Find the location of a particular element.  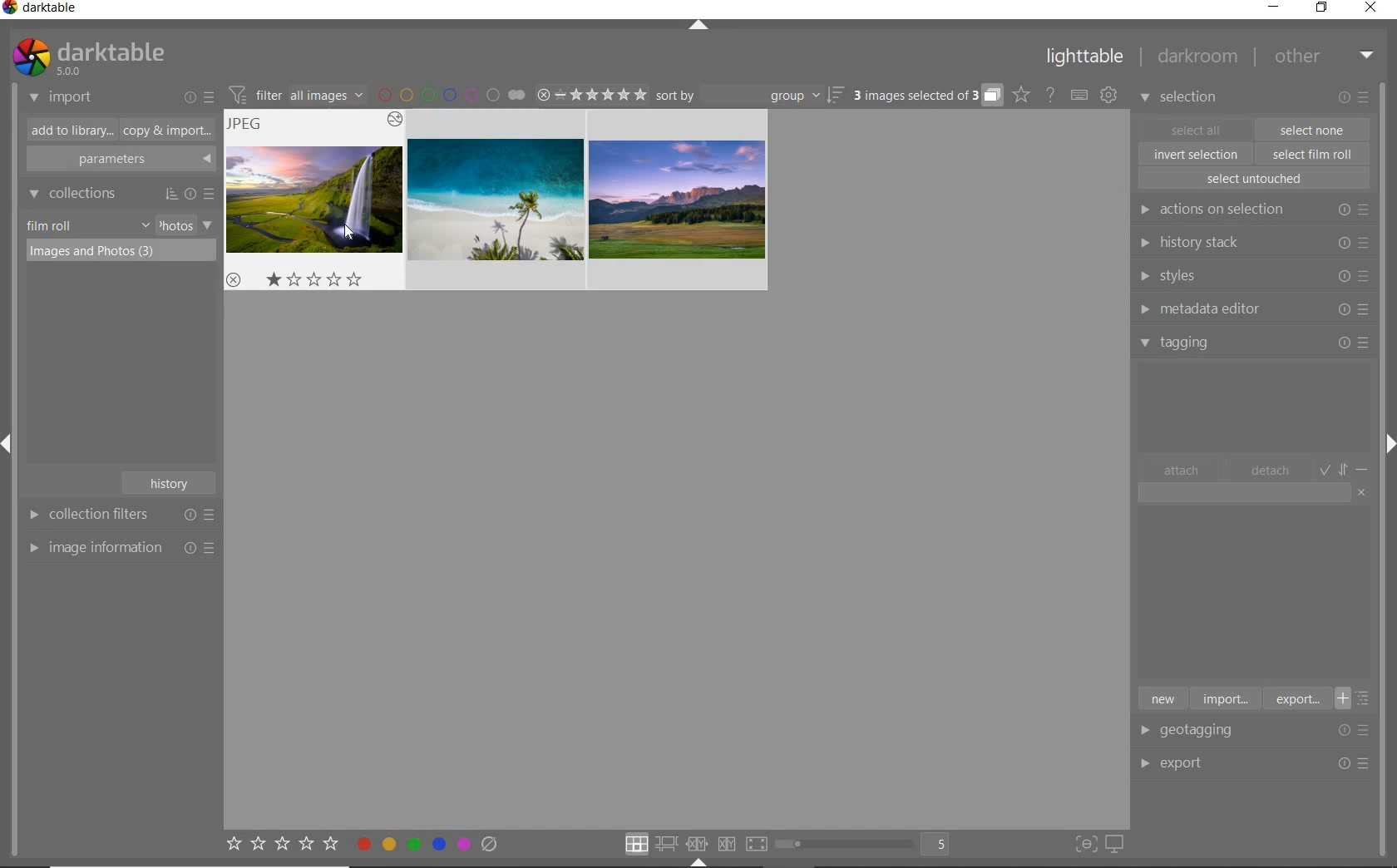

range ratings of selected images is located at coordinates (591, 92).